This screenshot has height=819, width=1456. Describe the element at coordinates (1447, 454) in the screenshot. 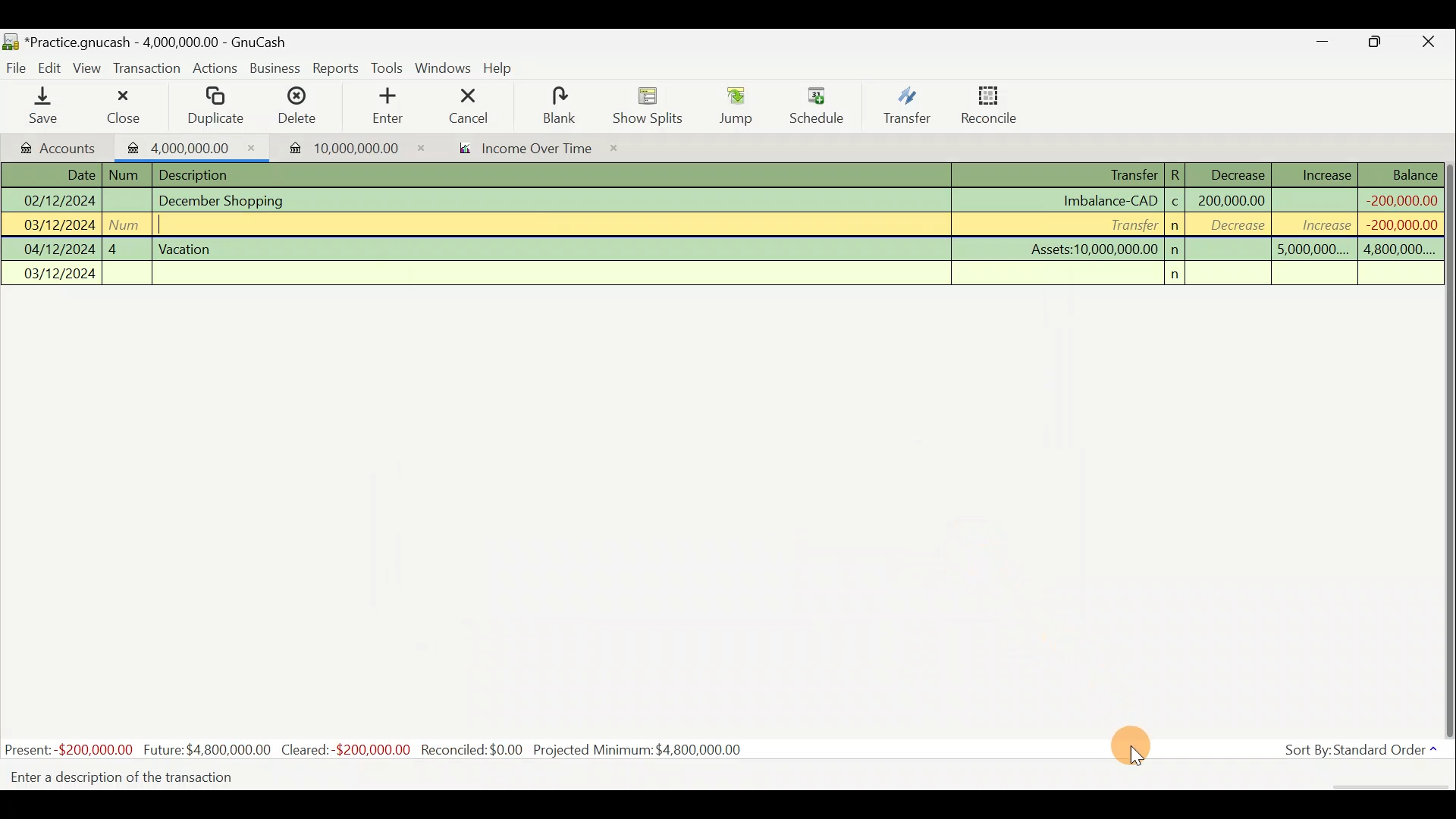

I see `Scroll bar` at that location.